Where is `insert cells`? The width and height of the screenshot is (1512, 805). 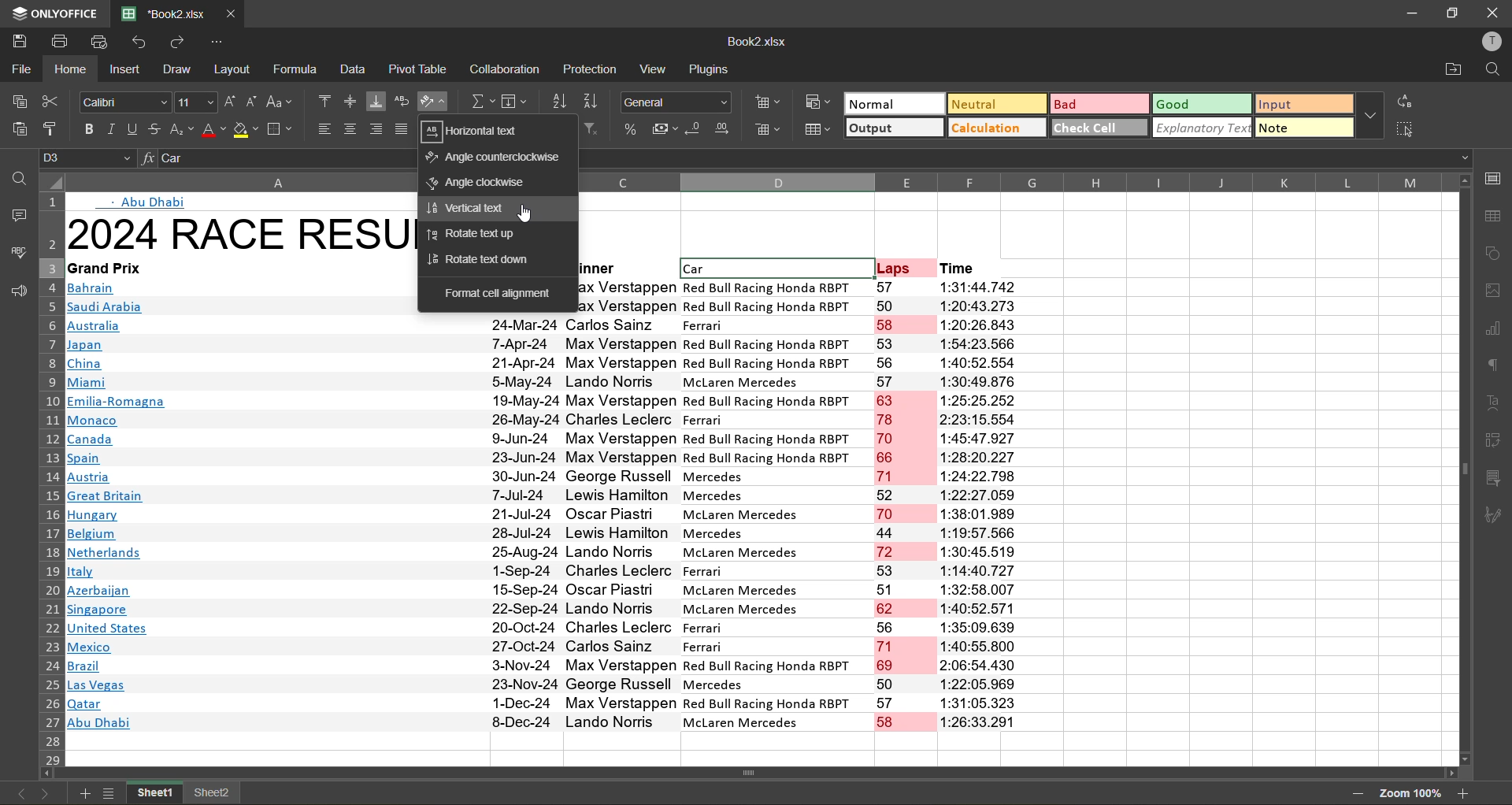
insert cells is located at coordinates (766, 103).